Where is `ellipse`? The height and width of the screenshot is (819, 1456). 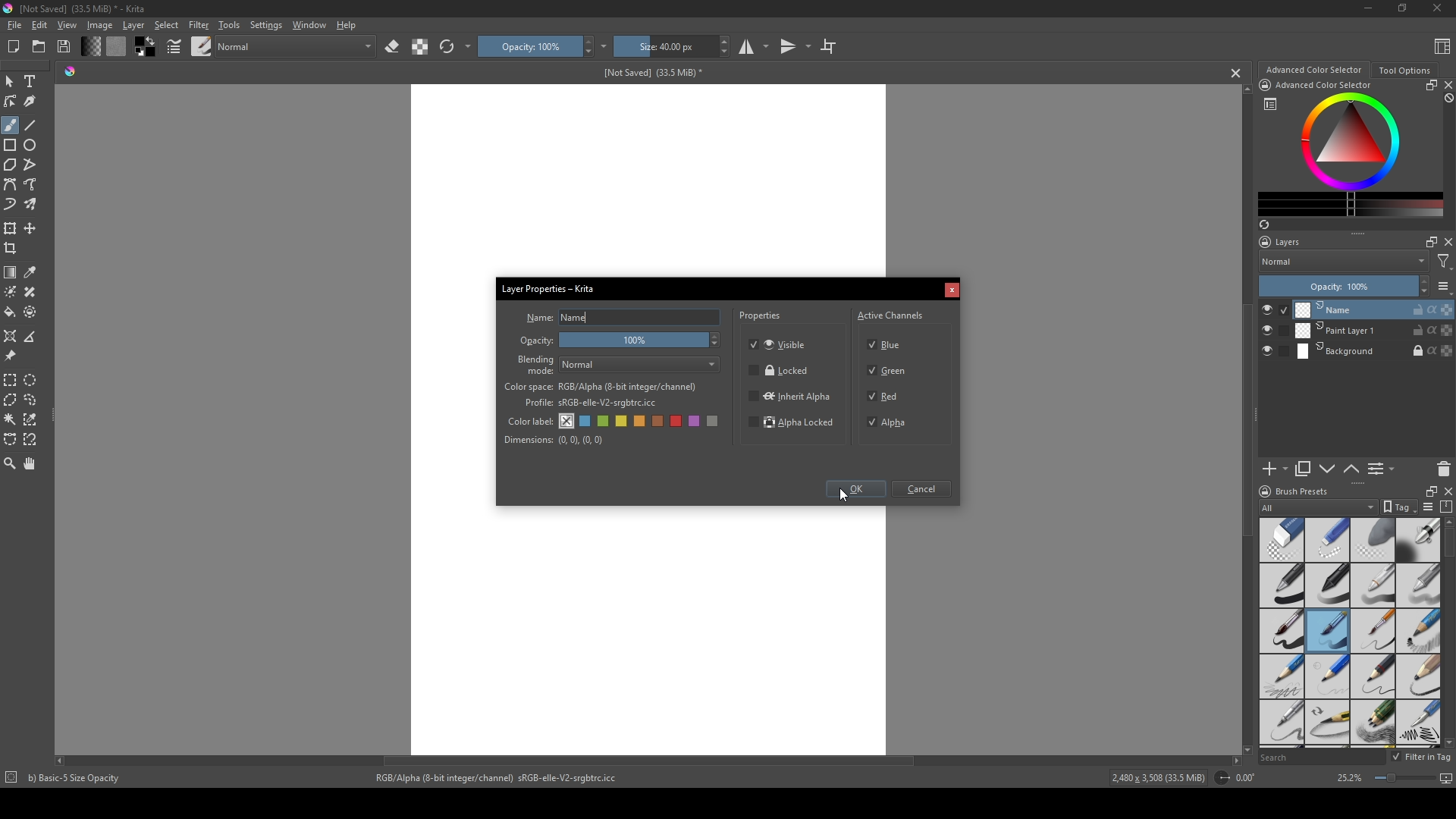 ellipse is located at coordinates (31, 145).